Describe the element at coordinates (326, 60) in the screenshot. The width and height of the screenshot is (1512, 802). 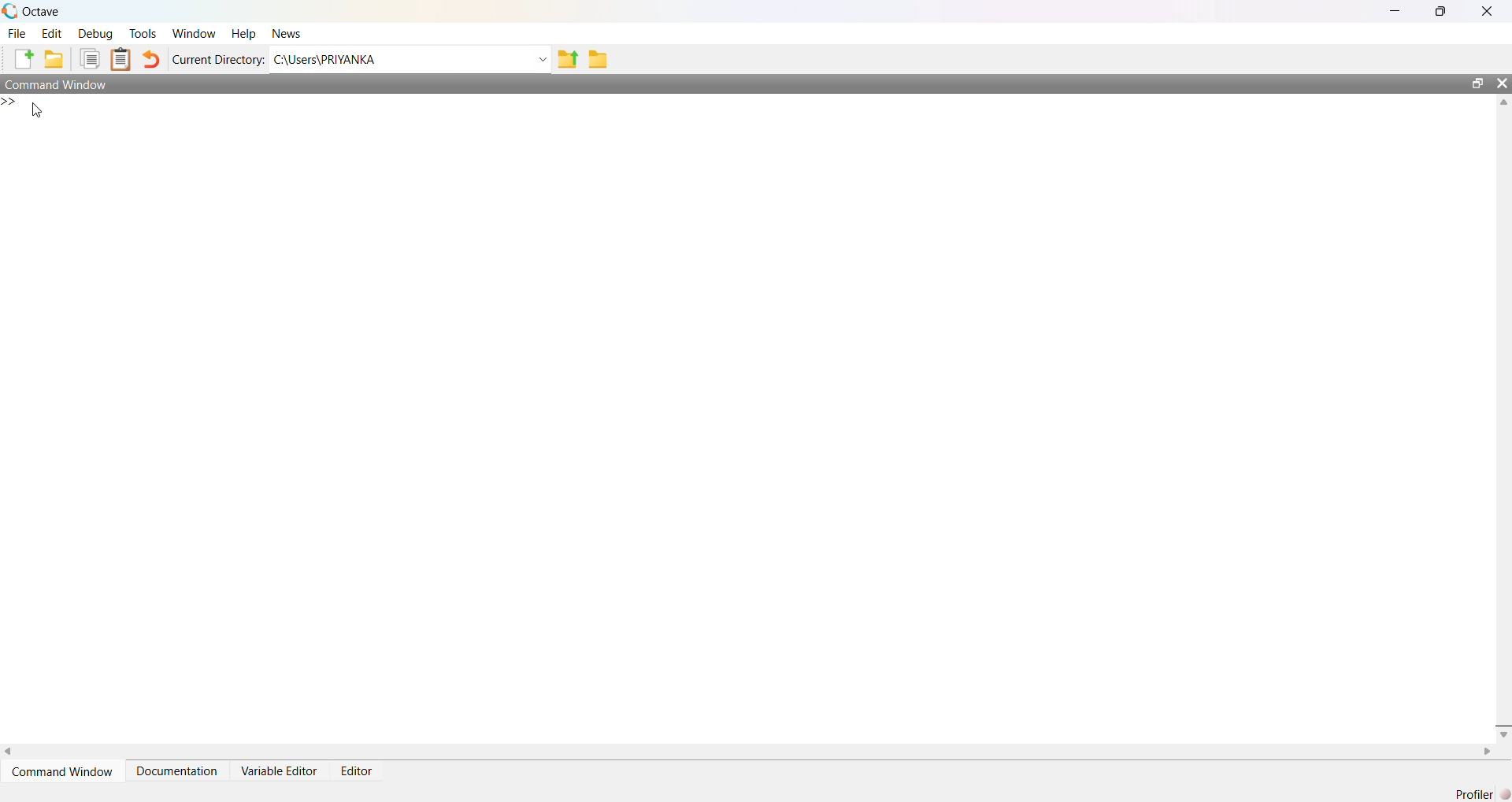
I see `C:\Users\PRIYANKA` at that location.